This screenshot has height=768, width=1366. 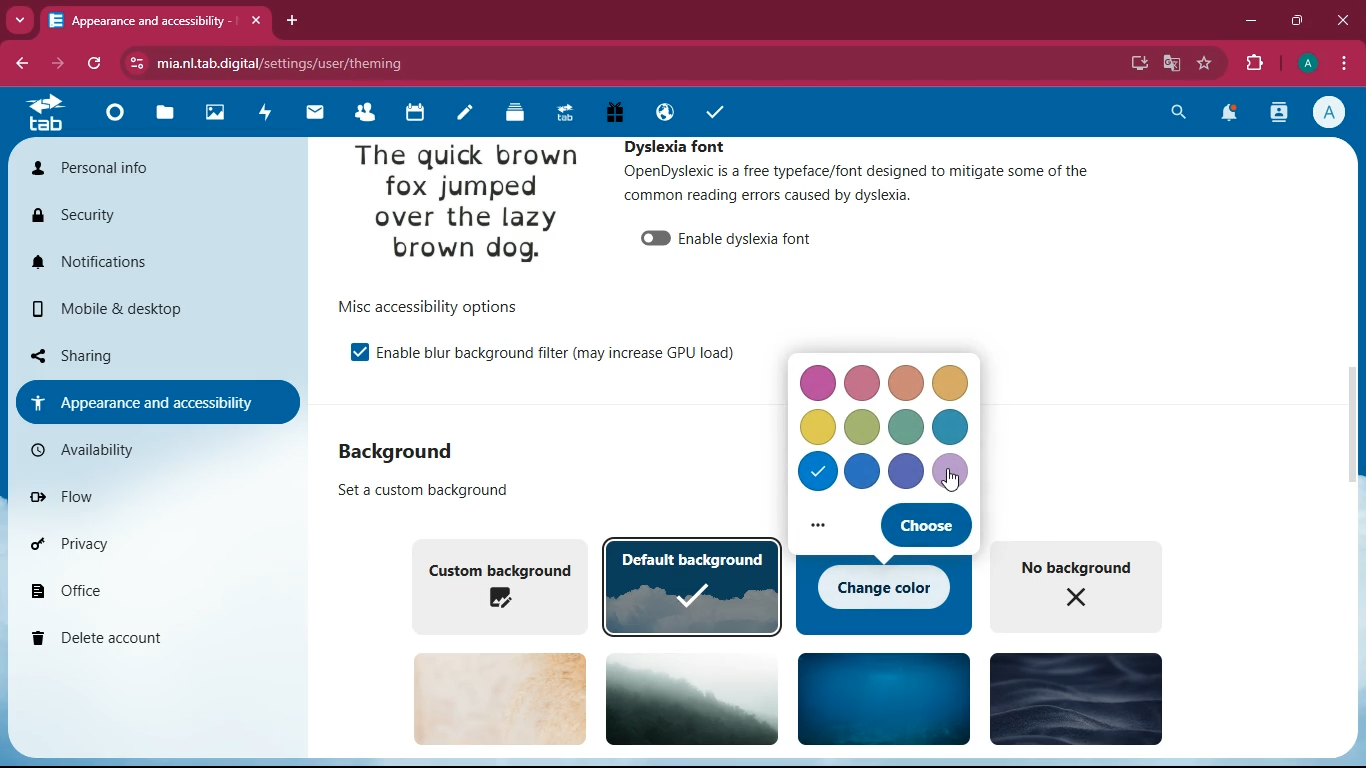 What do you see at coordinates (563, 113) in the screenshot?
I see `tab` at bounding box center [563, 113].